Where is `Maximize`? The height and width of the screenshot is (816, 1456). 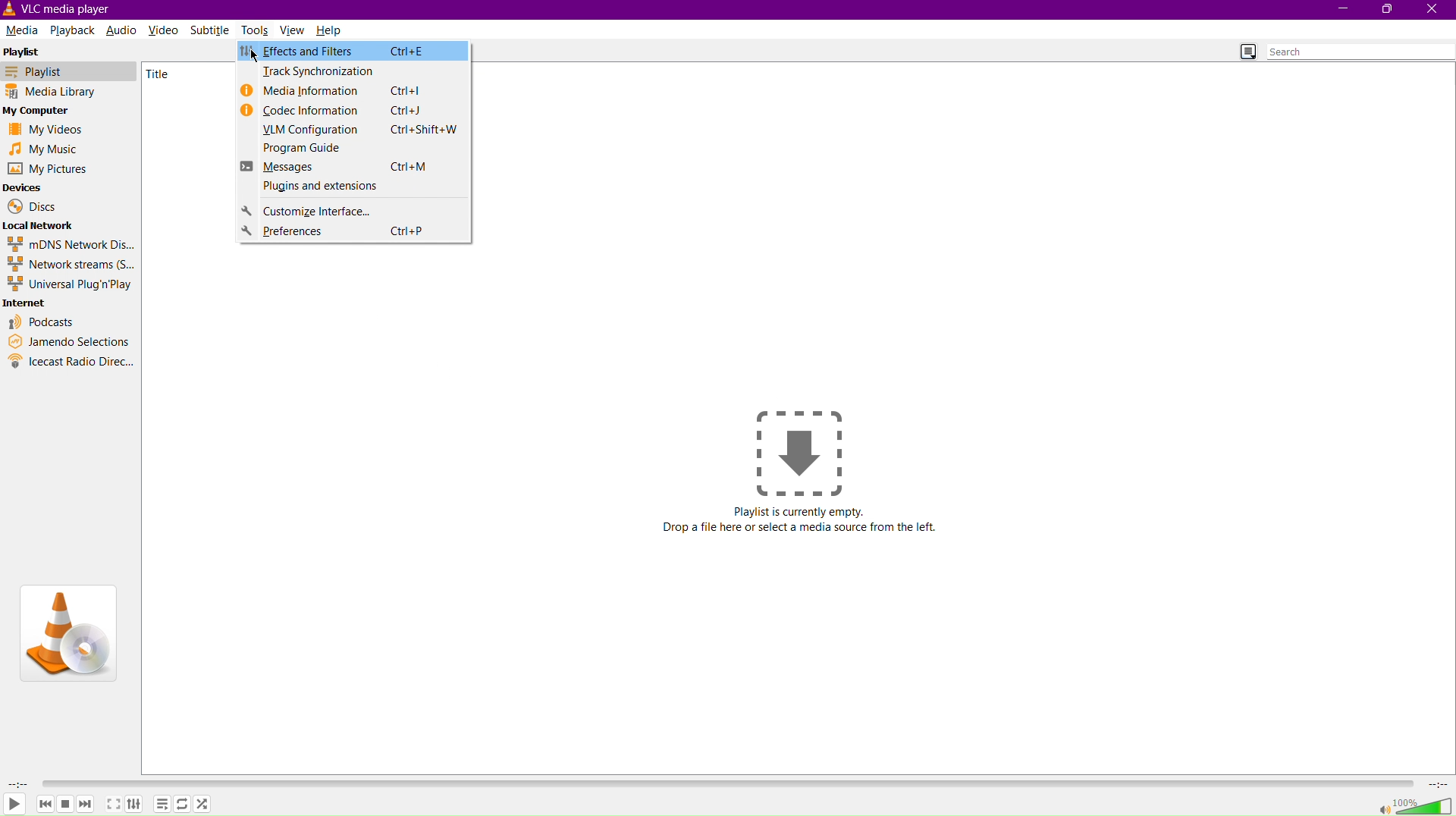 Maximize is located at coordinates (114, 803).